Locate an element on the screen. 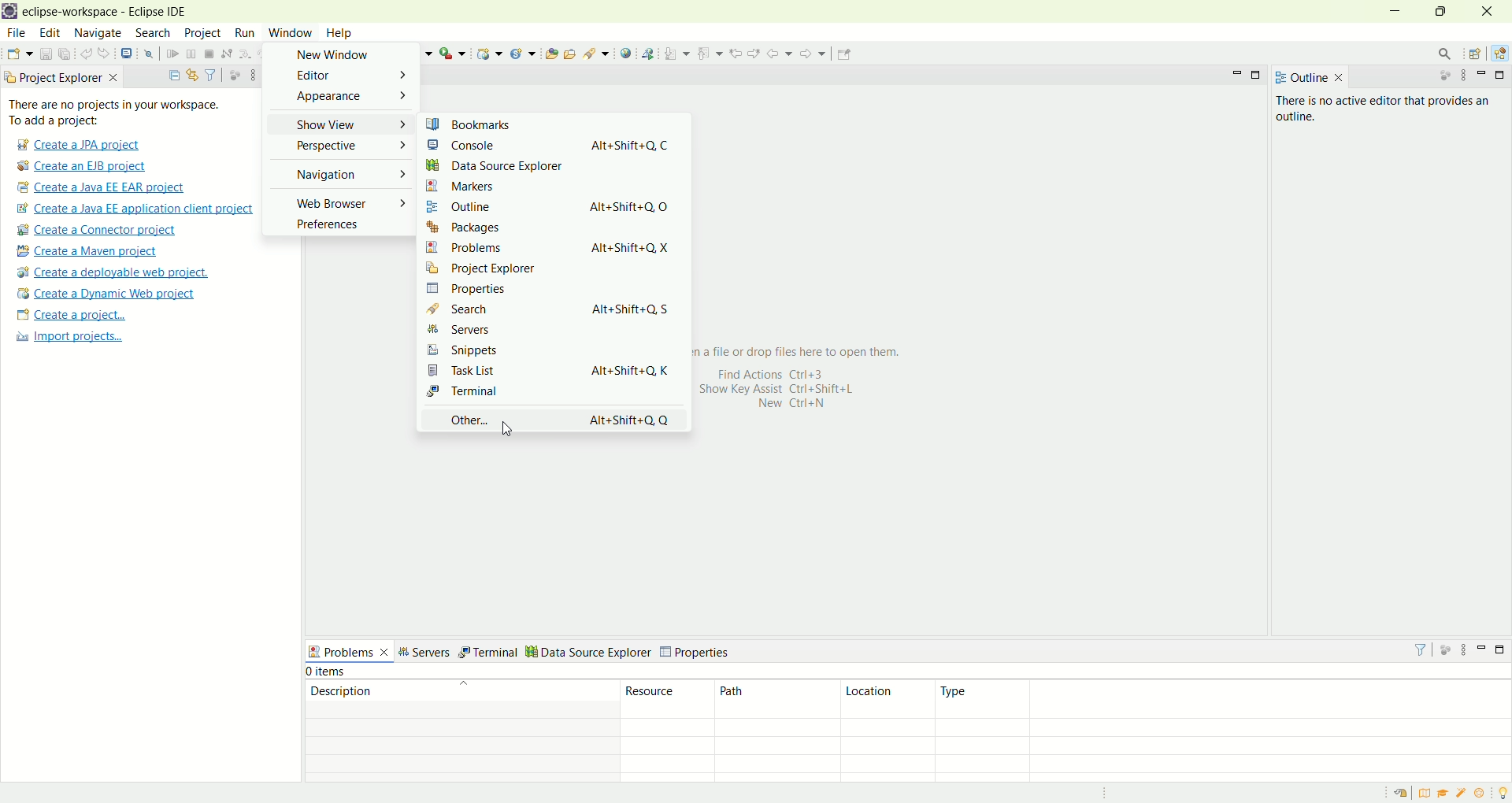  maximize is located at coordinates (1258, 75).